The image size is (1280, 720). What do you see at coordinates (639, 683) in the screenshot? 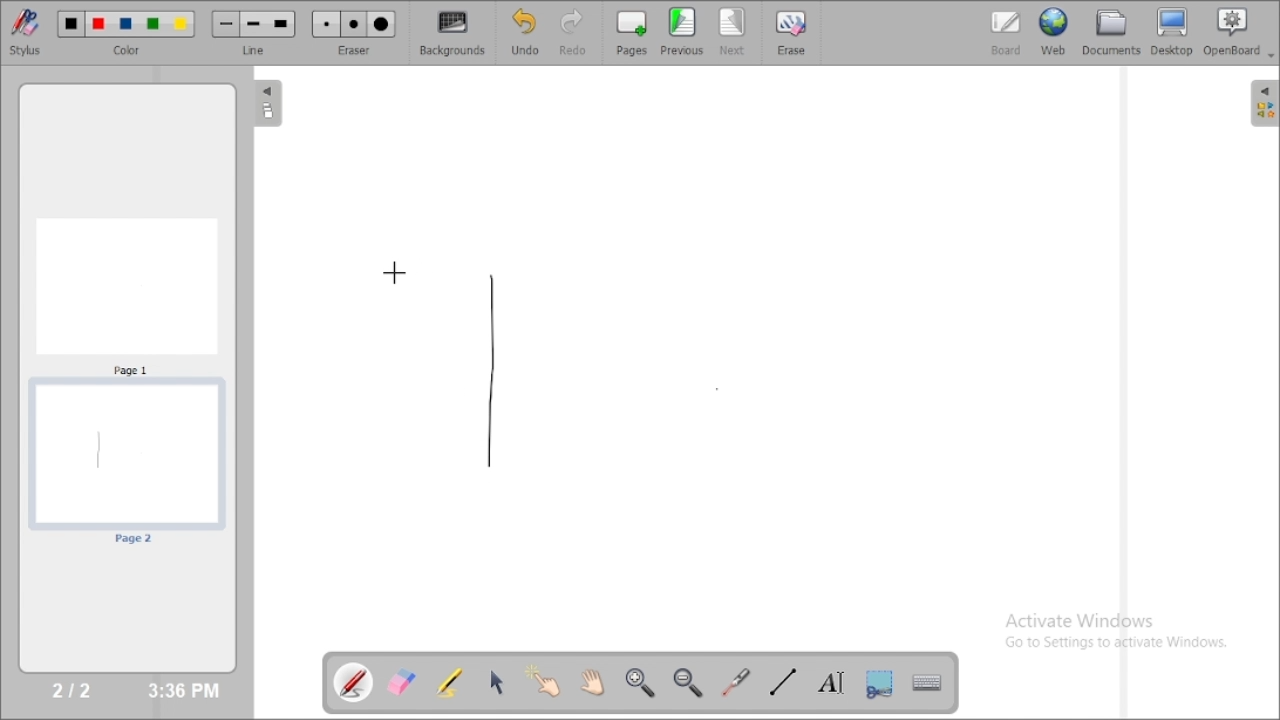
I see `zoom in` at bounding box center [639, 683].